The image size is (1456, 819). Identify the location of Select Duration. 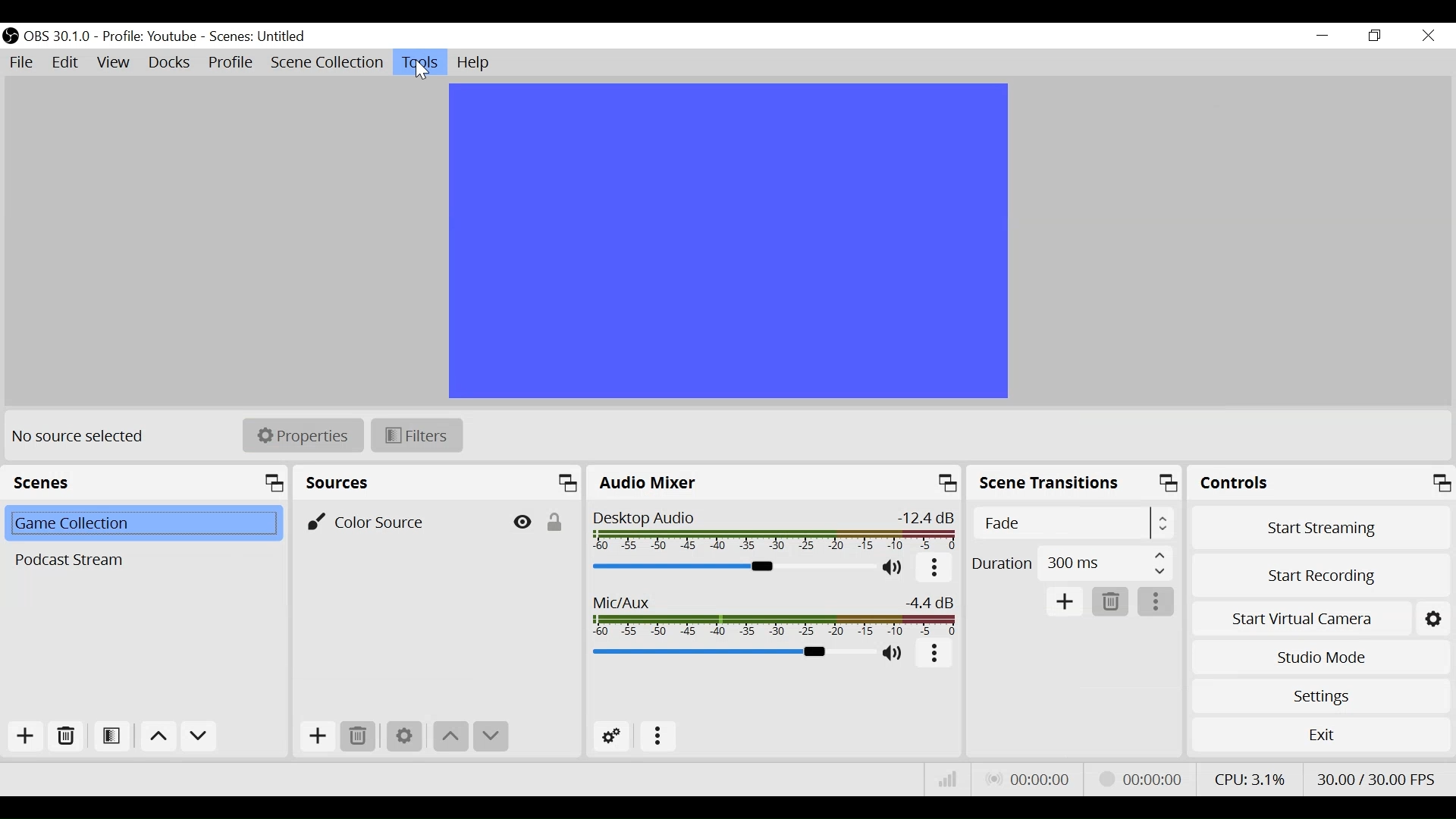
(1072, 563).